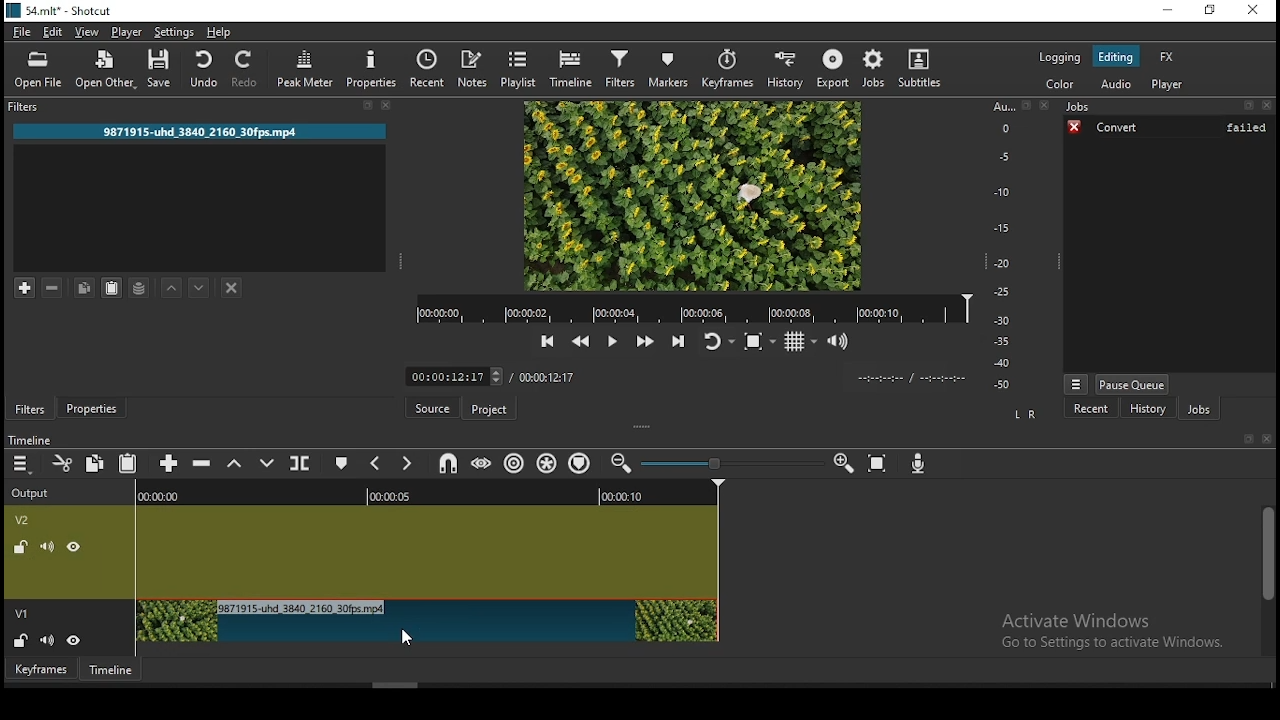  What do you see at coordinates (1168, 107) in the screenshot?
I see `Jobs` at bounding box center [1168, 107].